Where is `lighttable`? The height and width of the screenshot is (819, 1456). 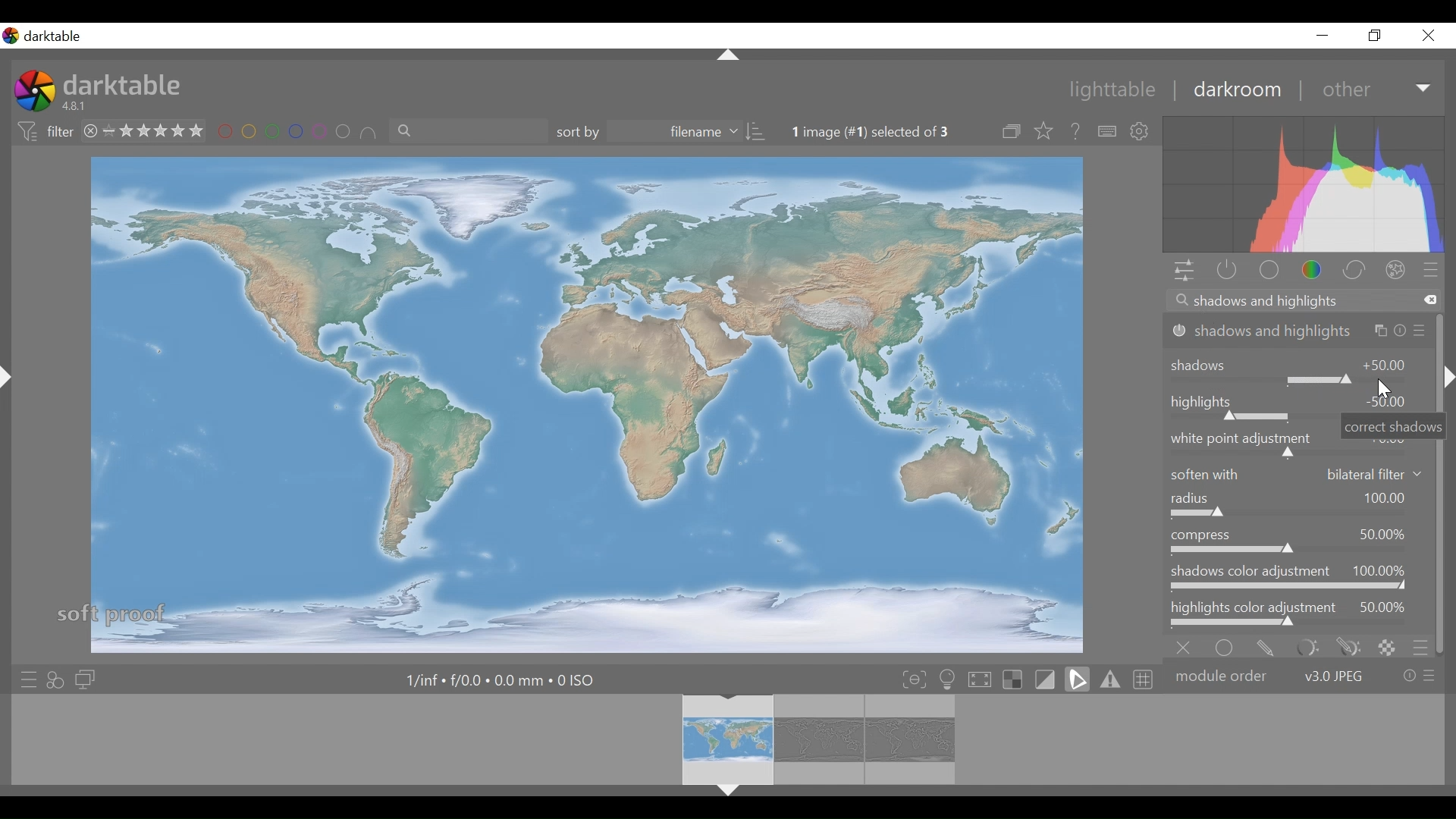 lighttable is located at coordinates (1116, 91).